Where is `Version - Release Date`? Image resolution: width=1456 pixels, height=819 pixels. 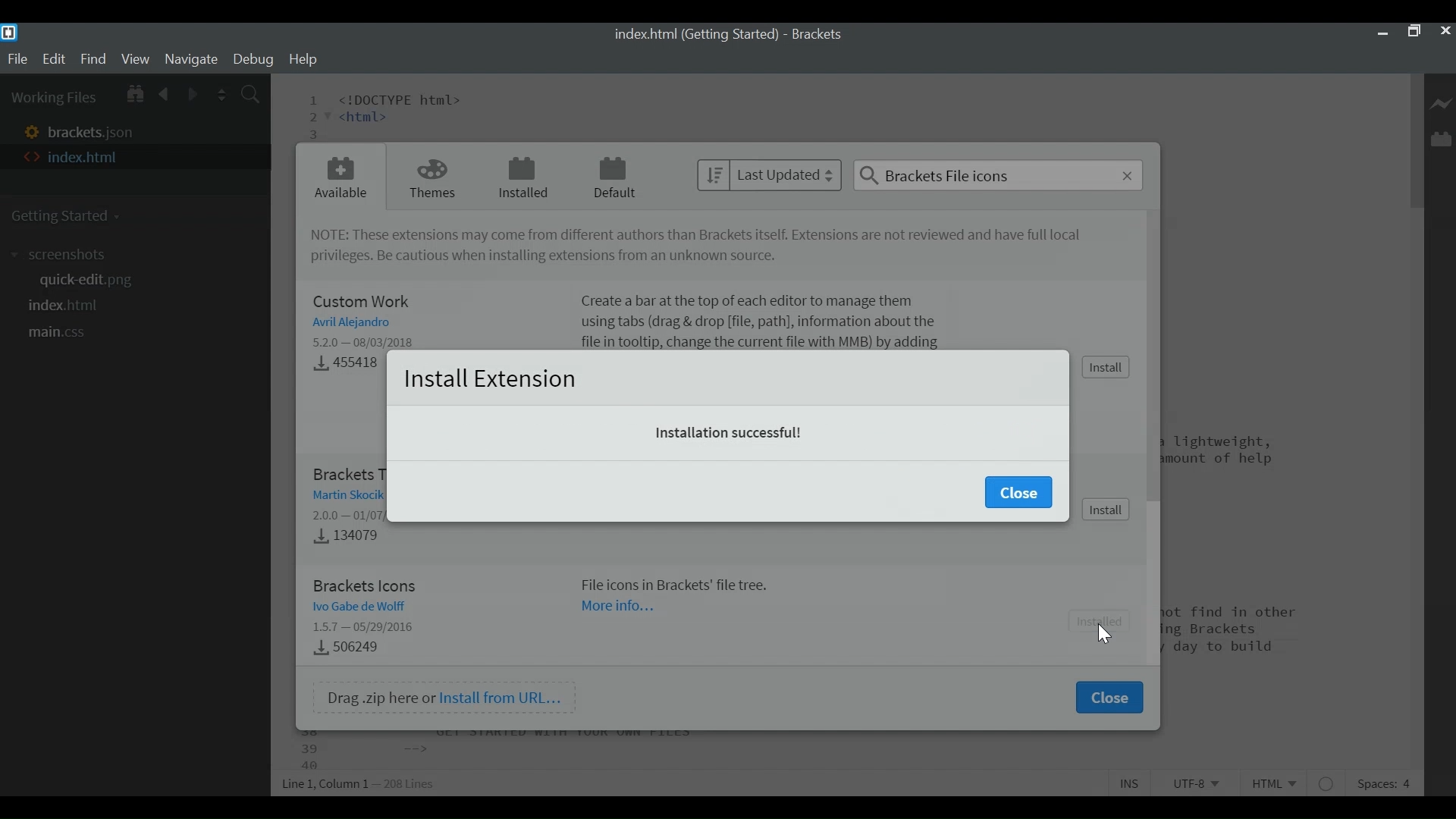
Version - Release Date is located at coordinates (366, 628).